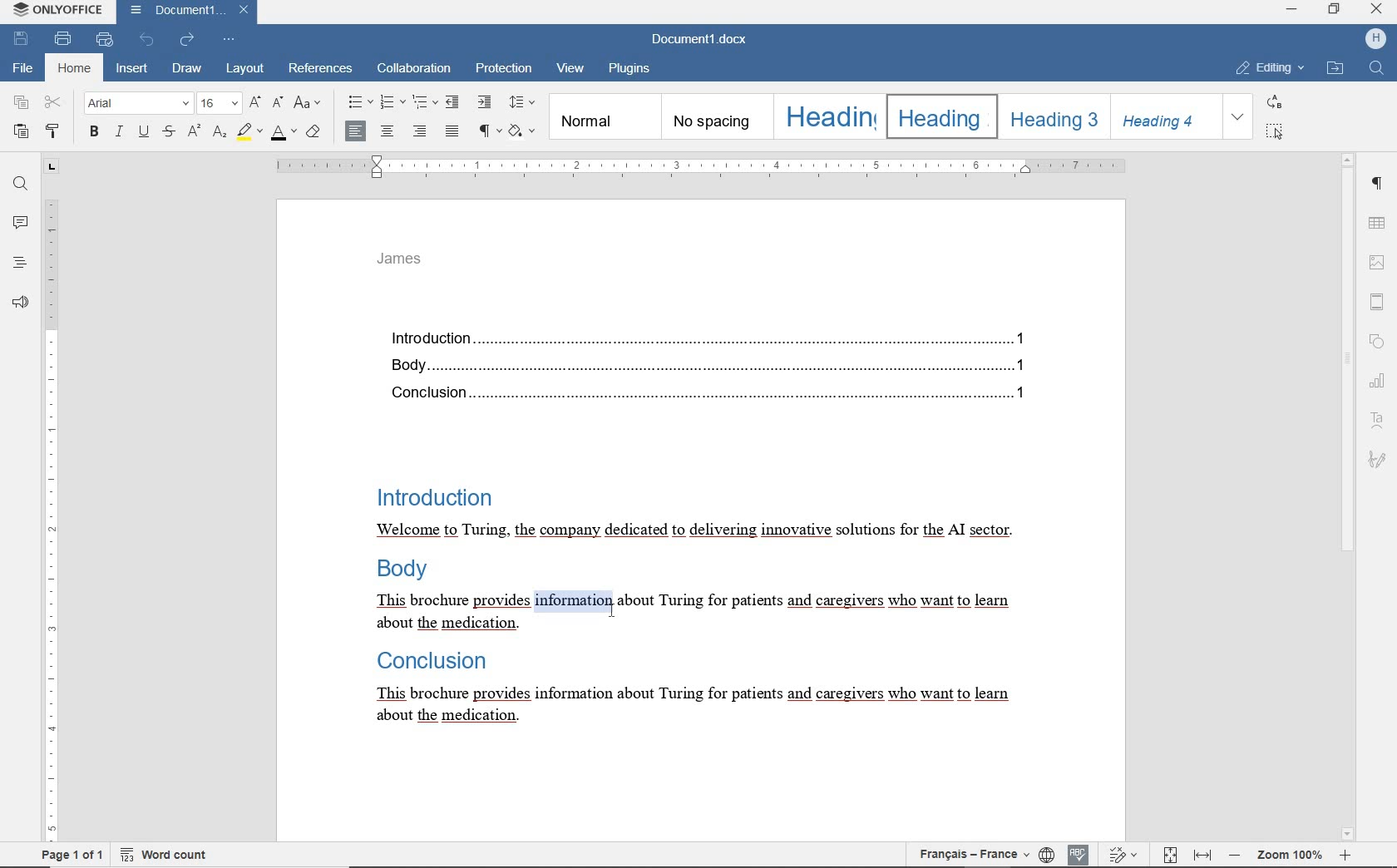 Image resolution: width=1397 pixels, height=868 pixels. Describe the element at coordinates (405, 572) in the screenshot. I see `Body` at that location.